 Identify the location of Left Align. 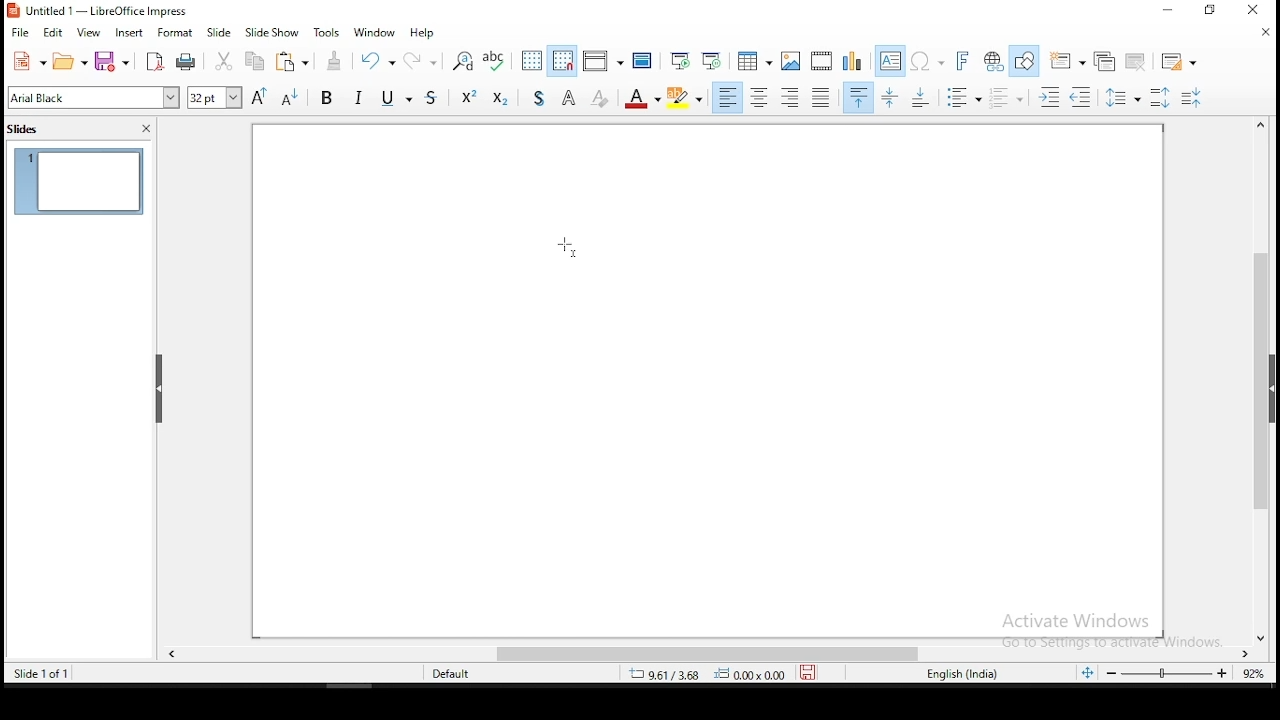
(727, 97).